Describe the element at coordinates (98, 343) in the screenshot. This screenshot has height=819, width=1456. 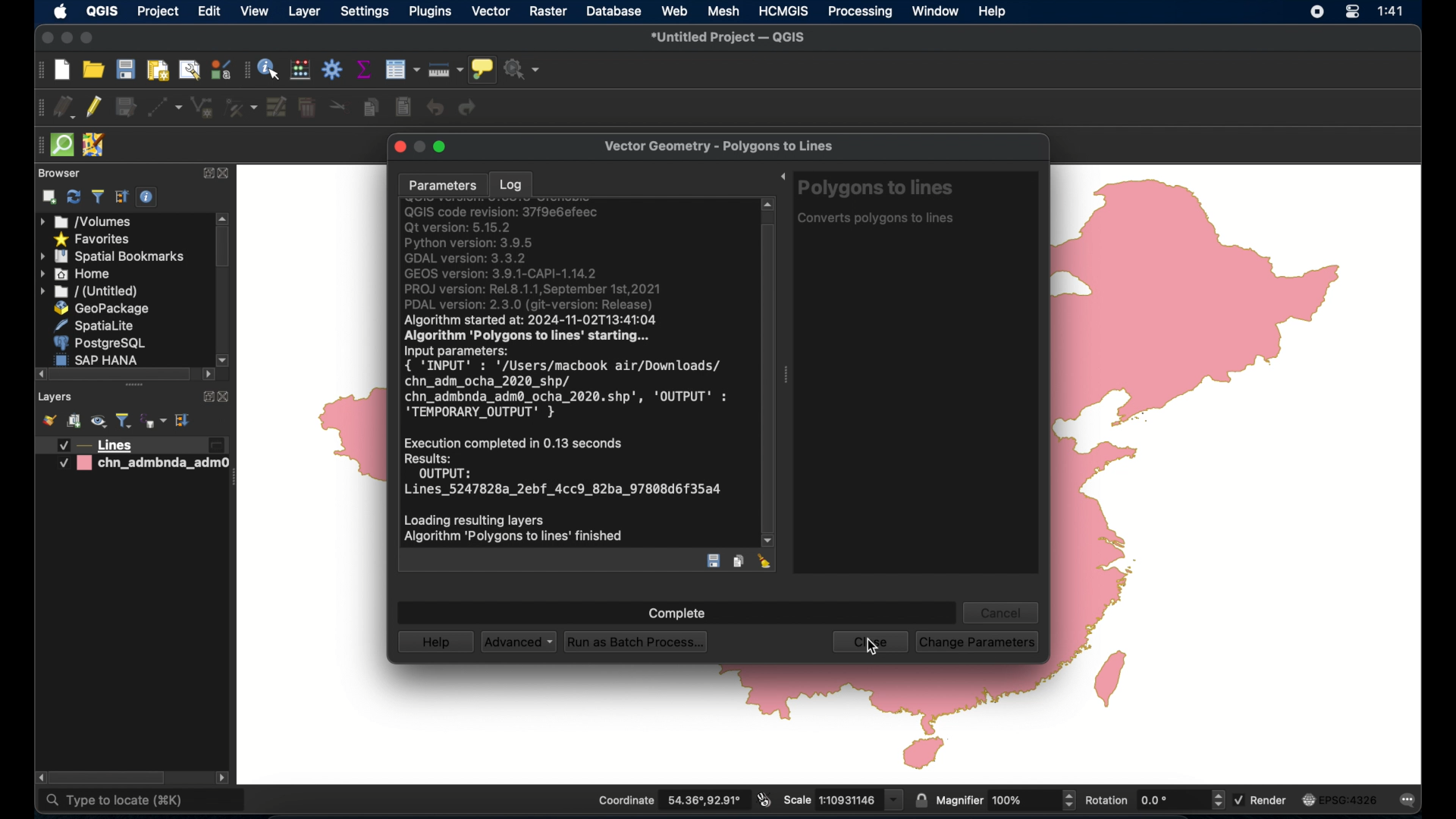
I see `postgresql` at that location.